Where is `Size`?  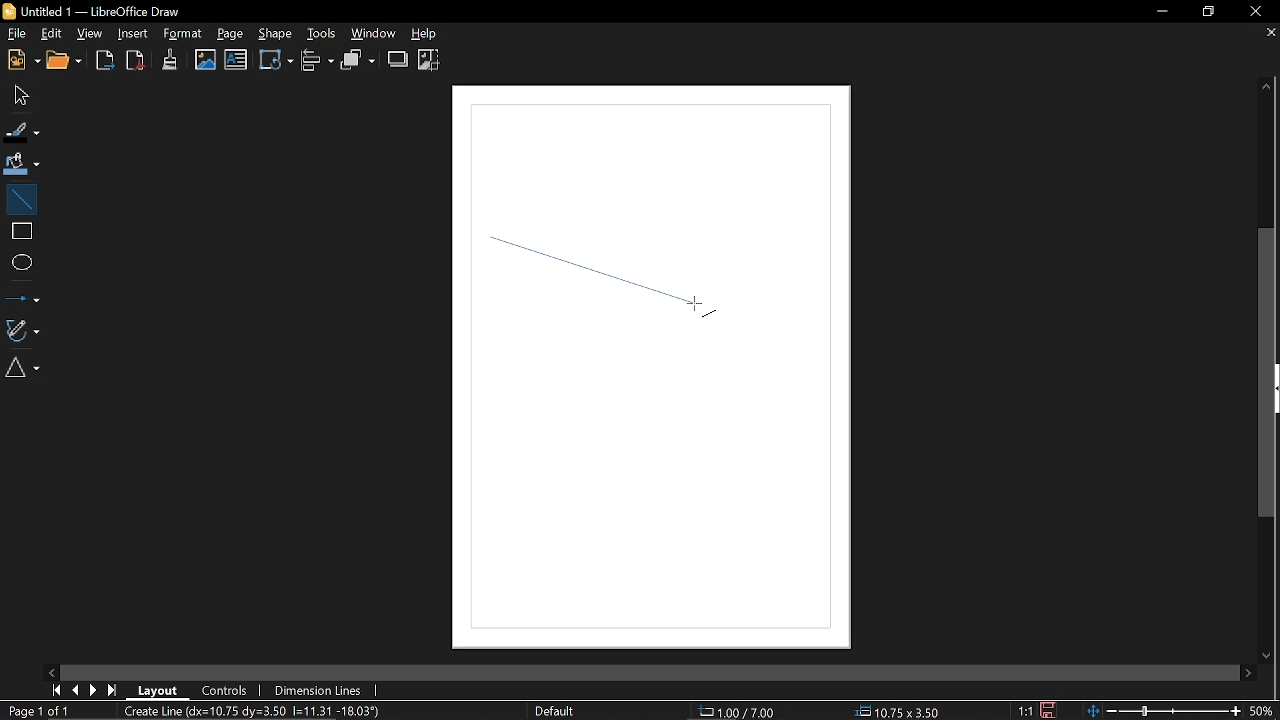 Size is located at coordinates (903, 710).